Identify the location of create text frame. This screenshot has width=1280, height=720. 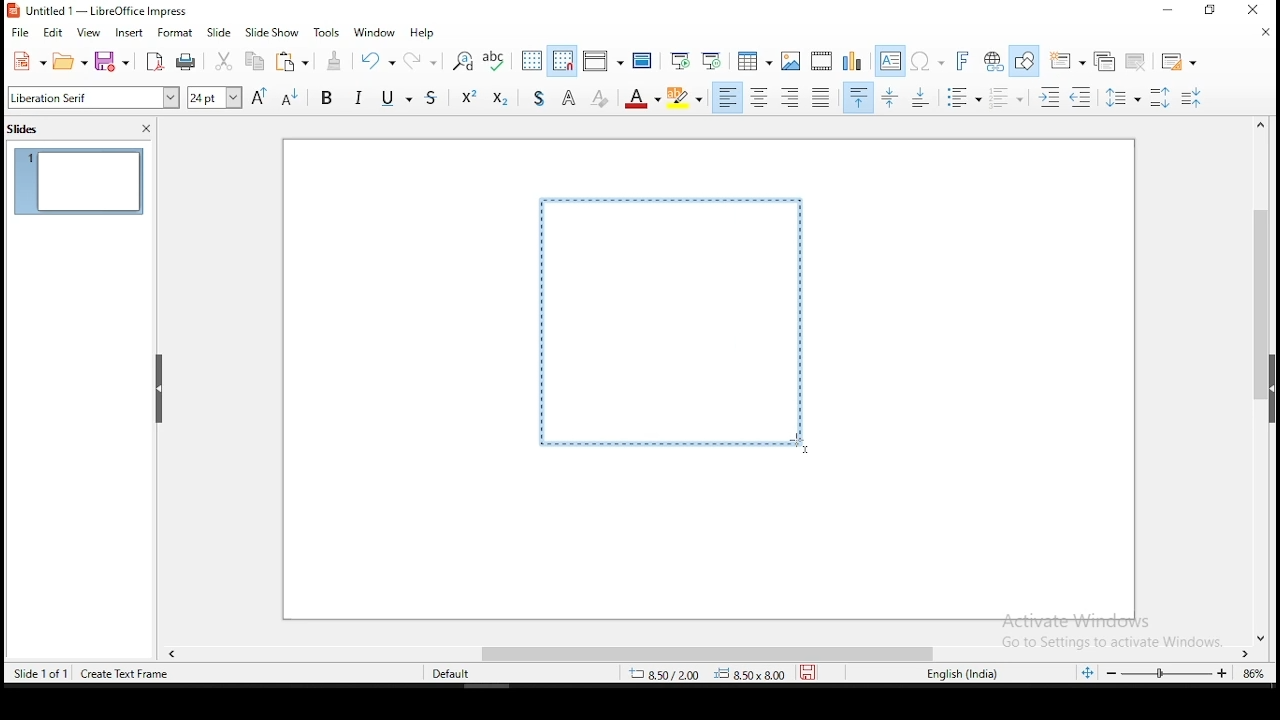
(124, 674).